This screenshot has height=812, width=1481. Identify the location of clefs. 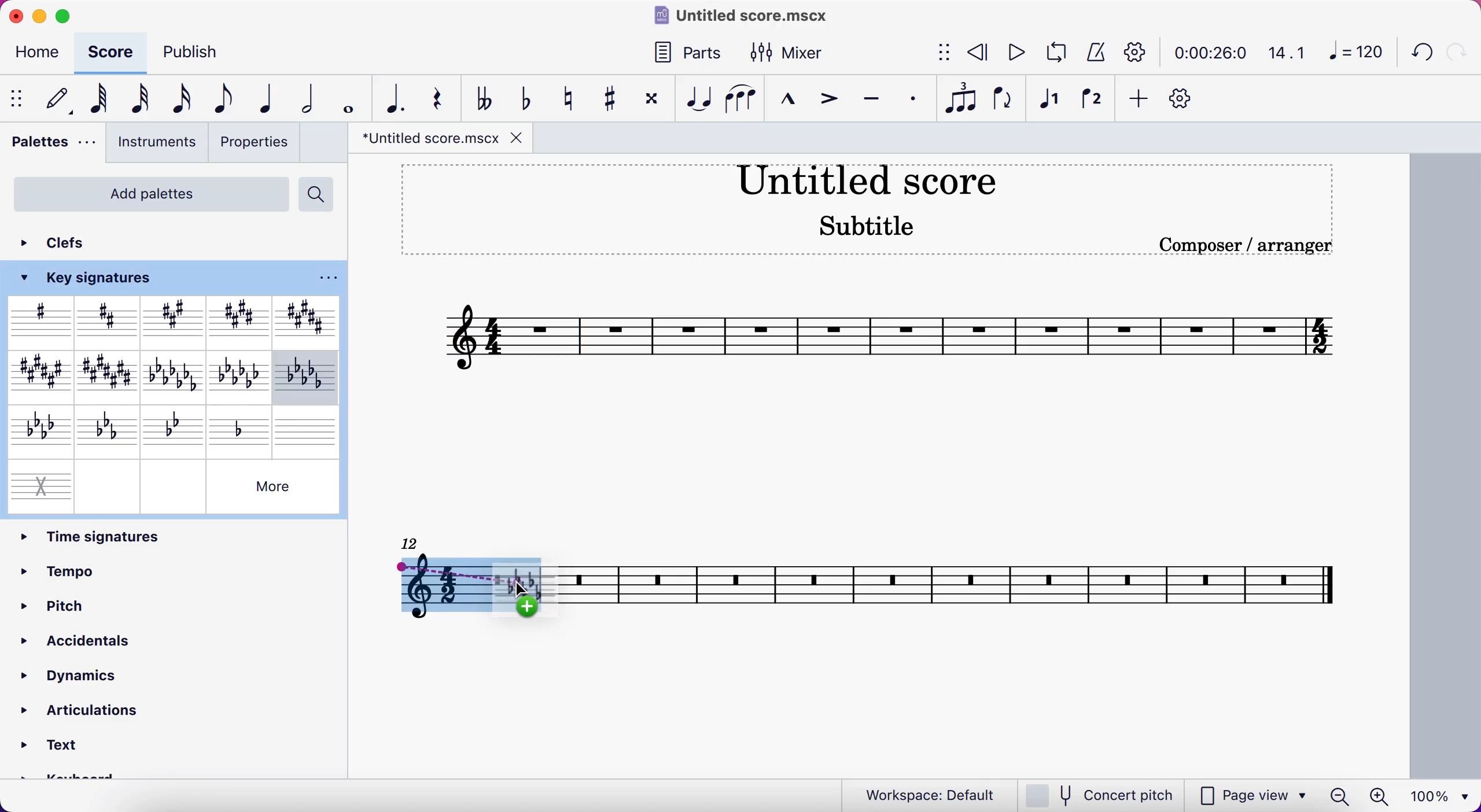
(69, 243).